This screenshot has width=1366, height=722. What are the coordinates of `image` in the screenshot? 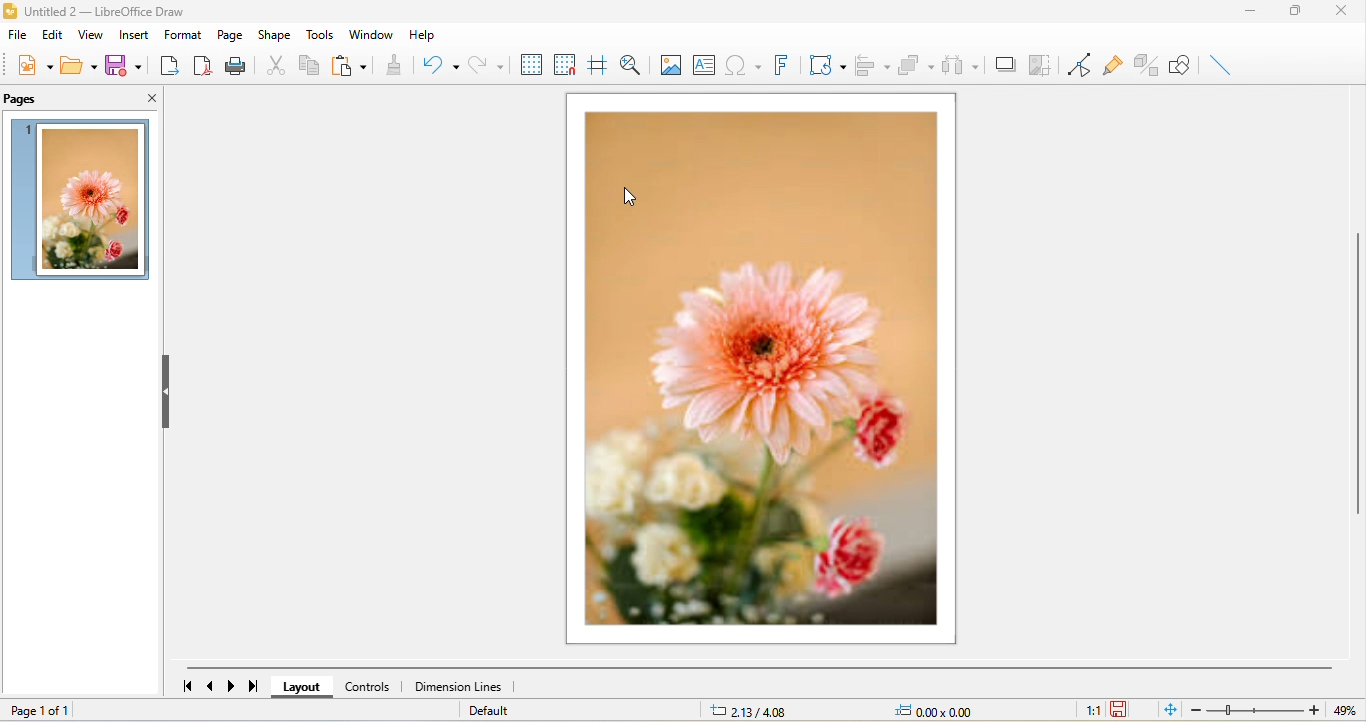 It's located at (82, 200).